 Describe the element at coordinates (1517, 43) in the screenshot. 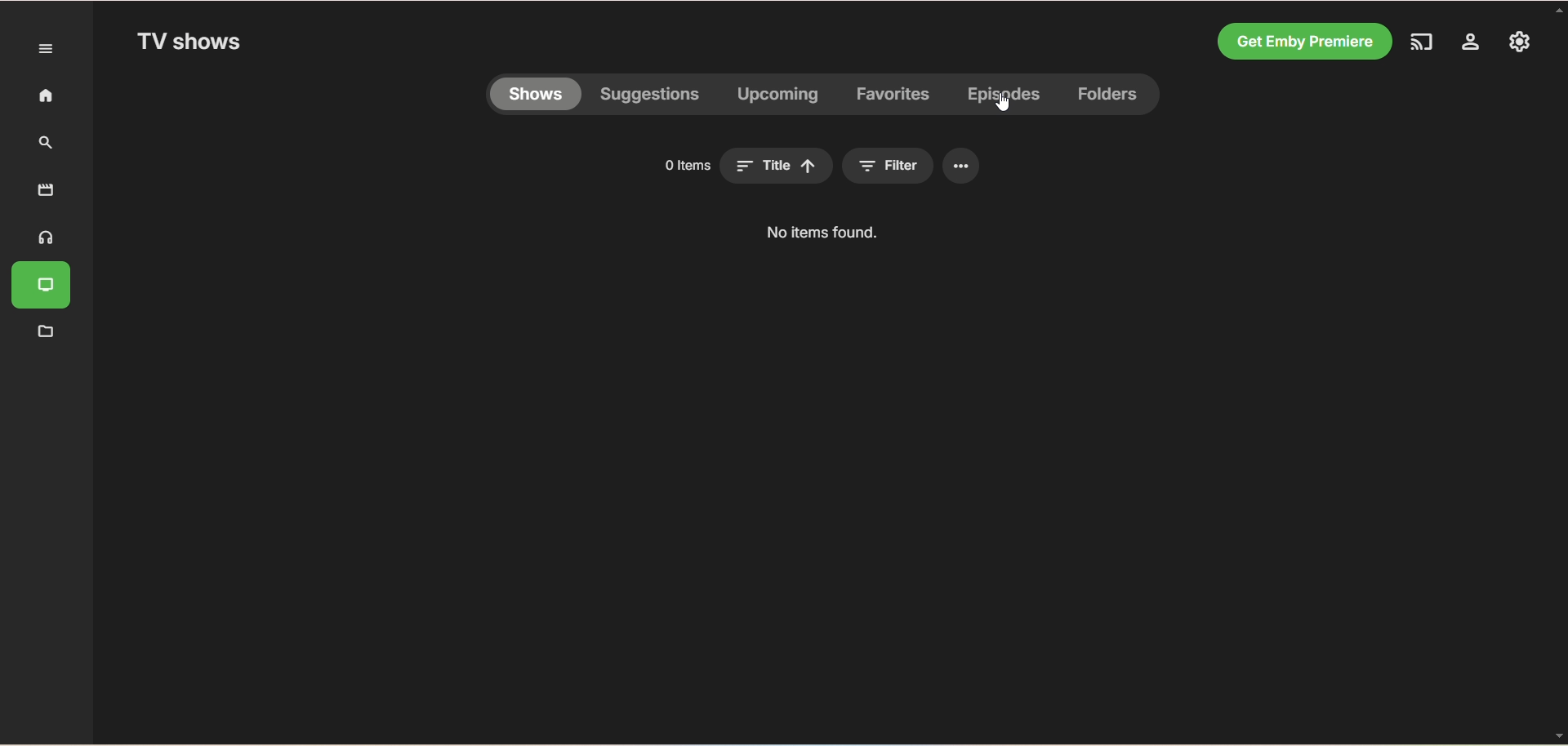

I see `manage emby server` at that location.